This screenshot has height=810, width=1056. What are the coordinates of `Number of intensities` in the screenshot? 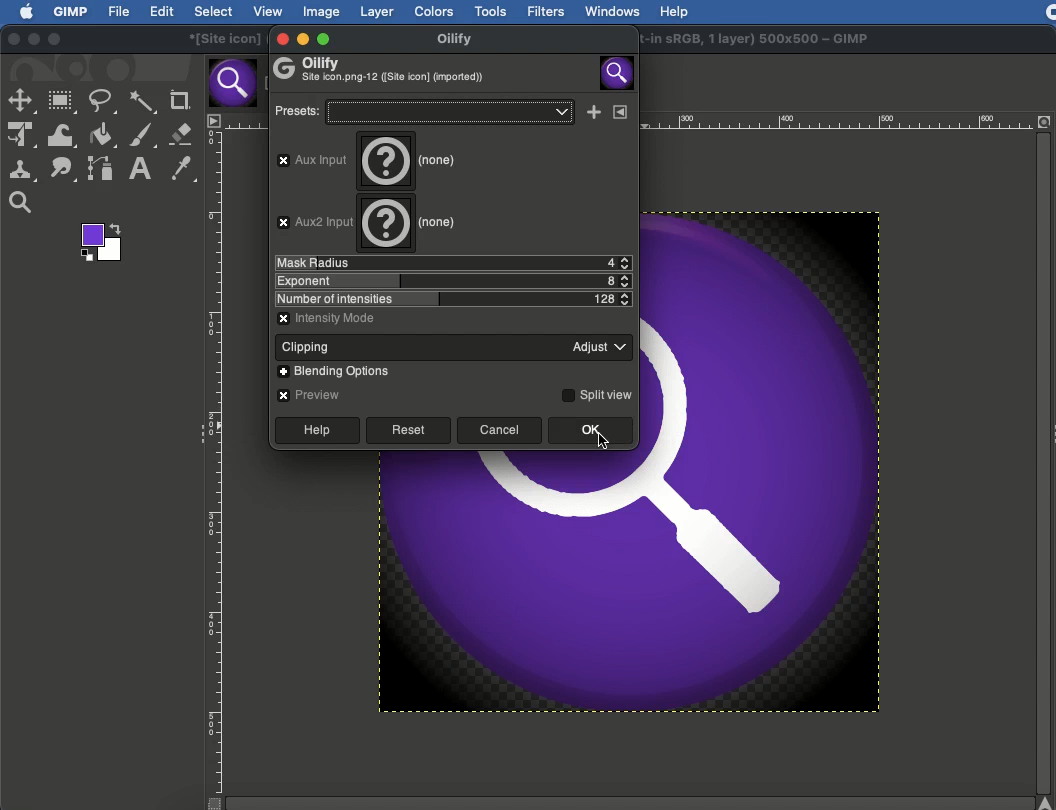 It's located at (452, 299).